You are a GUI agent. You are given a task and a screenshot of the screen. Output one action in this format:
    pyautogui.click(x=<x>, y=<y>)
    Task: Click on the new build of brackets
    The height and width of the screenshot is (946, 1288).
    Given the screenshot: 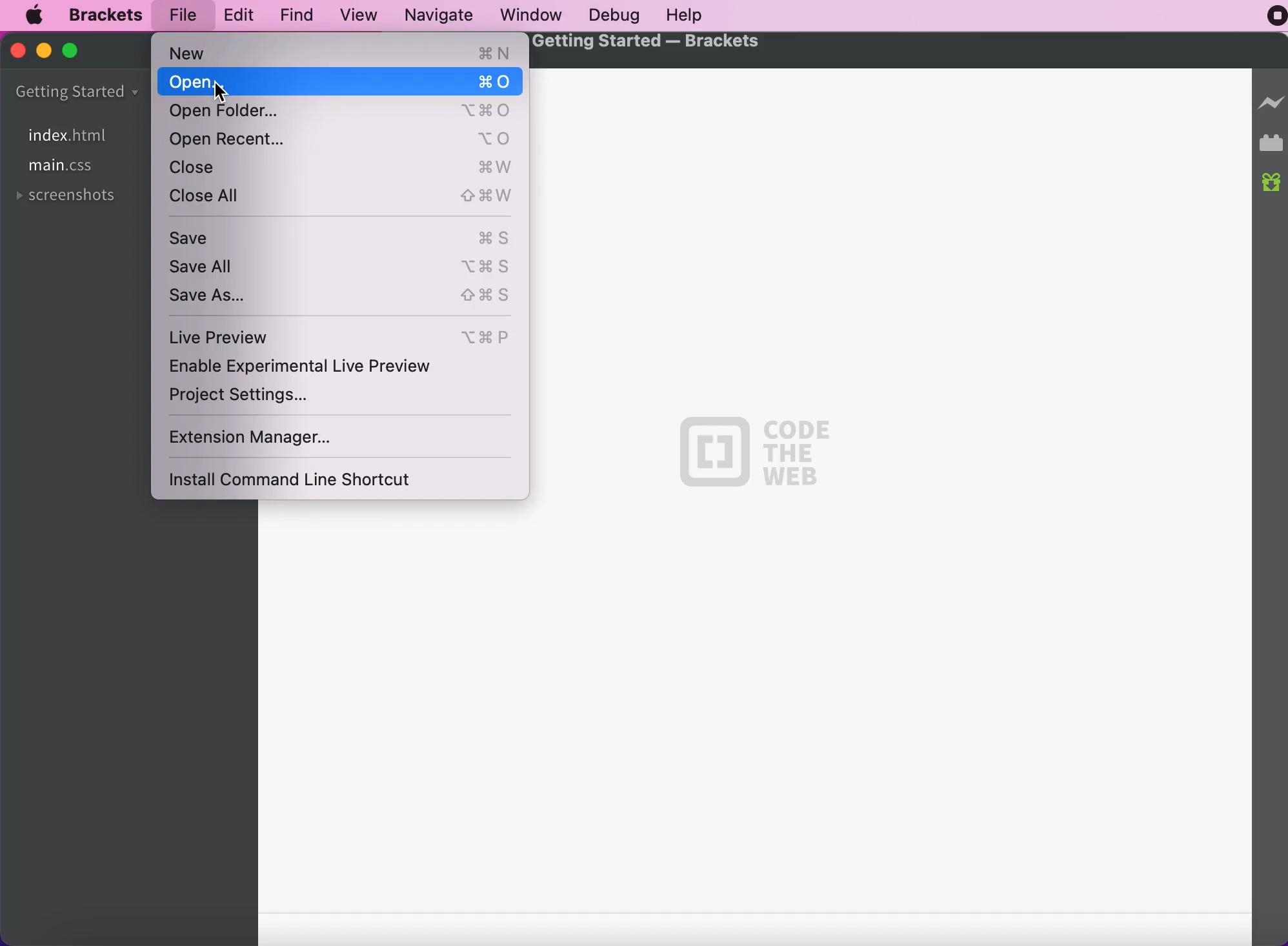 What is the action you would take?
    pyautogui.click(x=1271, y=183)
    